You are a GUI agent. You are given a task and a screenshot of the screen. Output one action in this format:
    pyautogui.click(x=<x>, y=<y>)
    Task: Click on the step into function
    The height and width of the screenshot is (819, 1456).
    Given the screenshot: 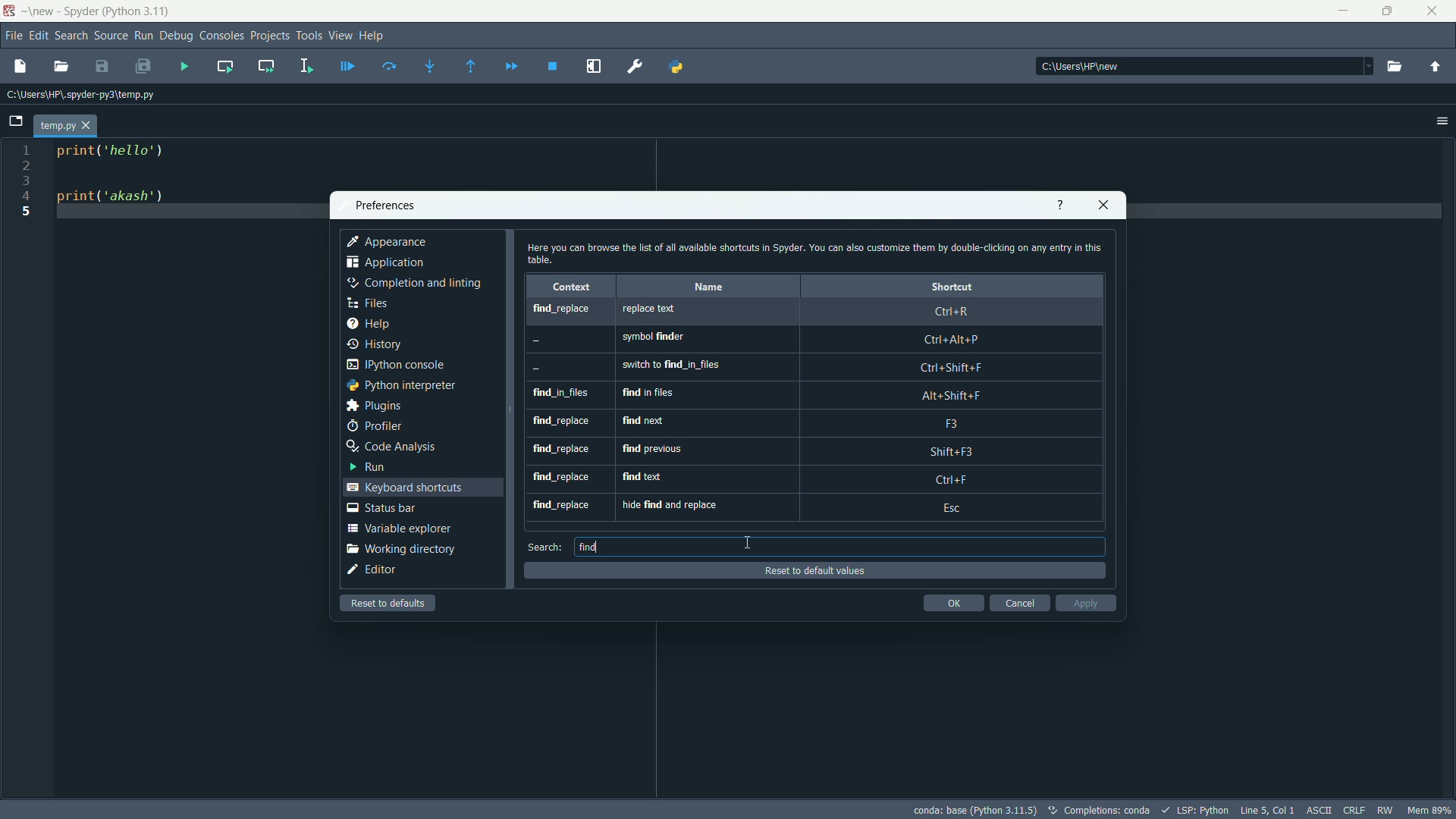 What is the action you would take?
    pyautogui.click(x=431, y=64)
    